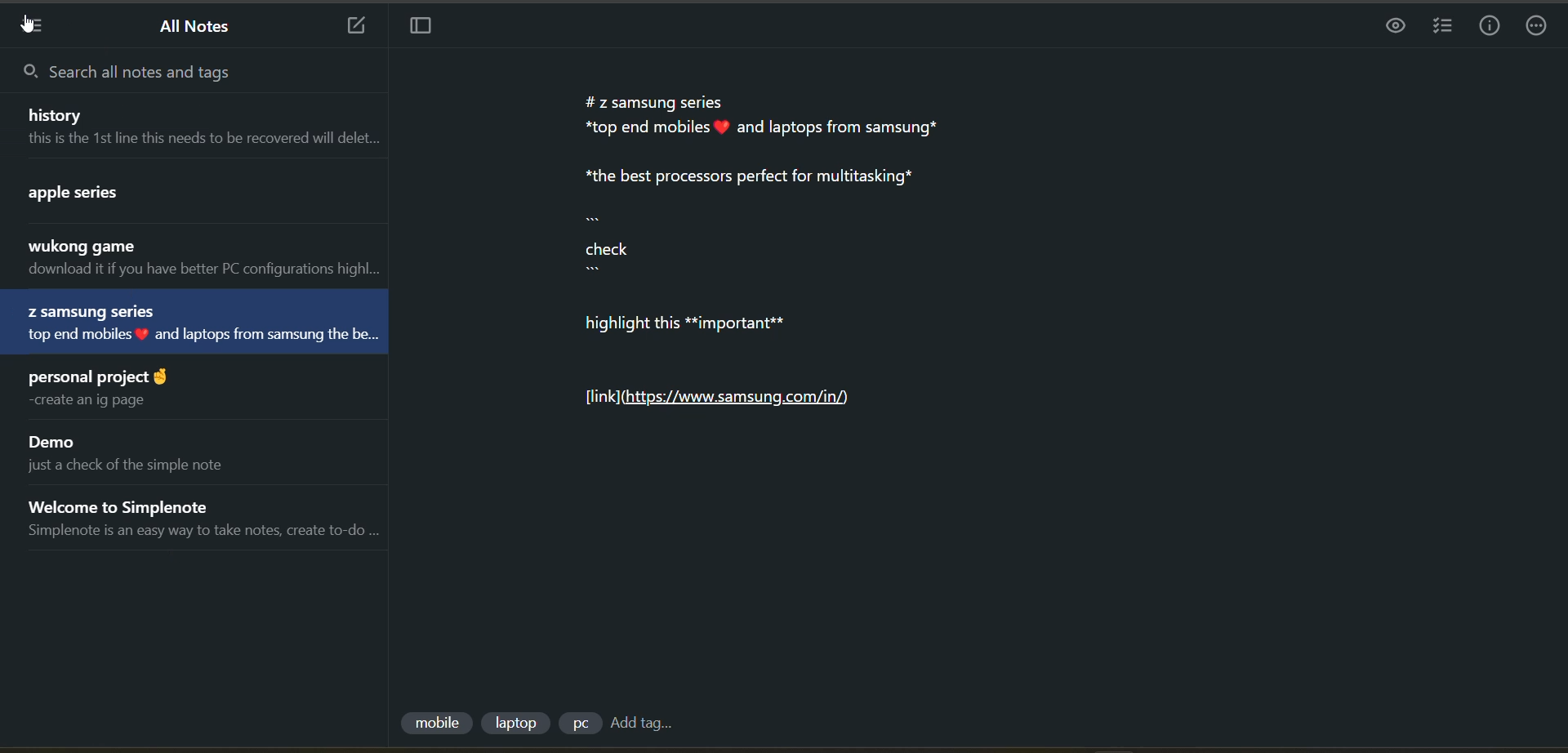 Image resolution: width=1568 pixels, height=753 pixels. I want to click on note title and preview, so click(161, 198).